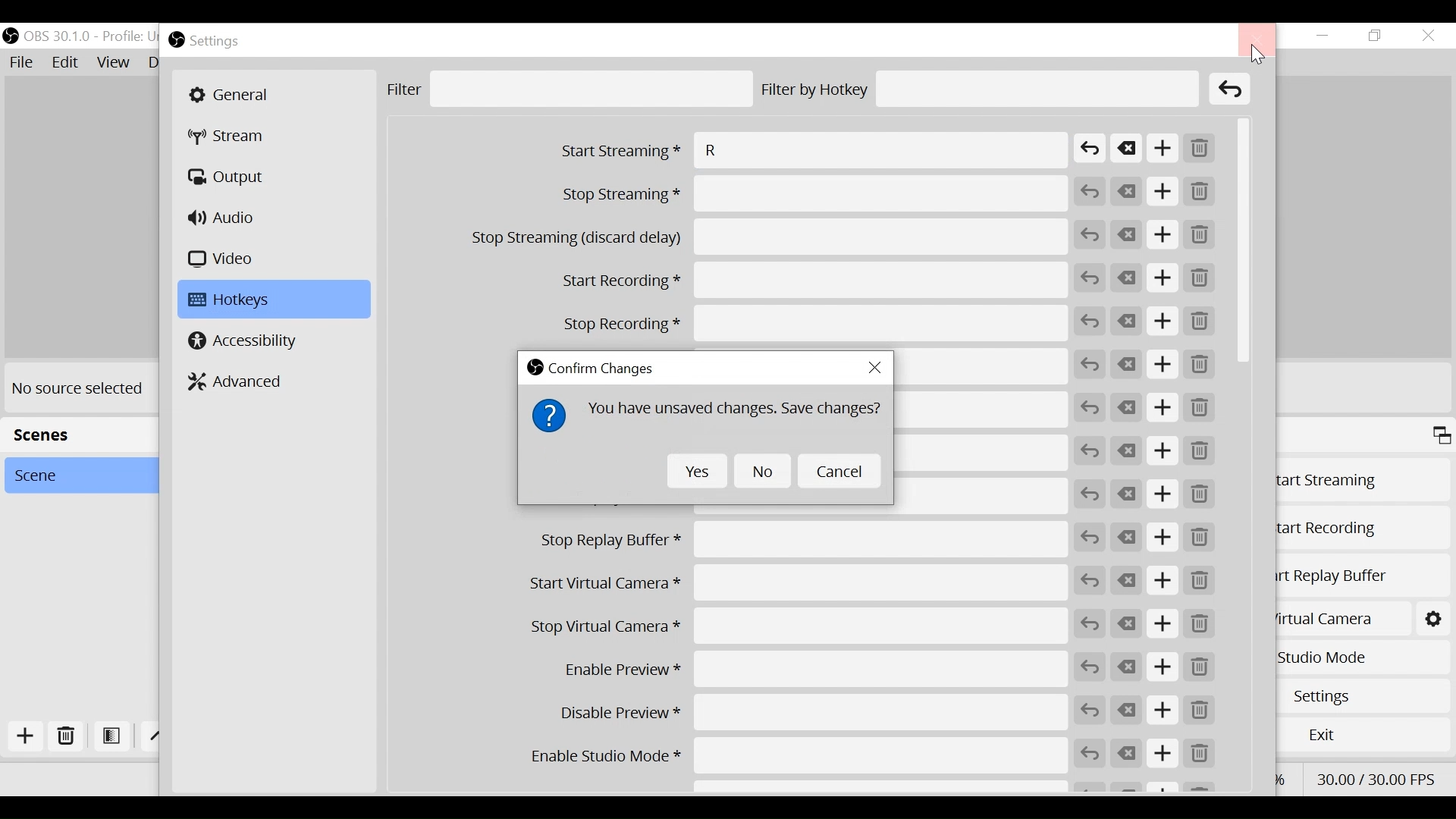 This screenshot has width=1456, height=819. What do you see at coordinates (813, 194) in the screenshot?
I see `Stop Streaming` at bounding box center [813, 194].